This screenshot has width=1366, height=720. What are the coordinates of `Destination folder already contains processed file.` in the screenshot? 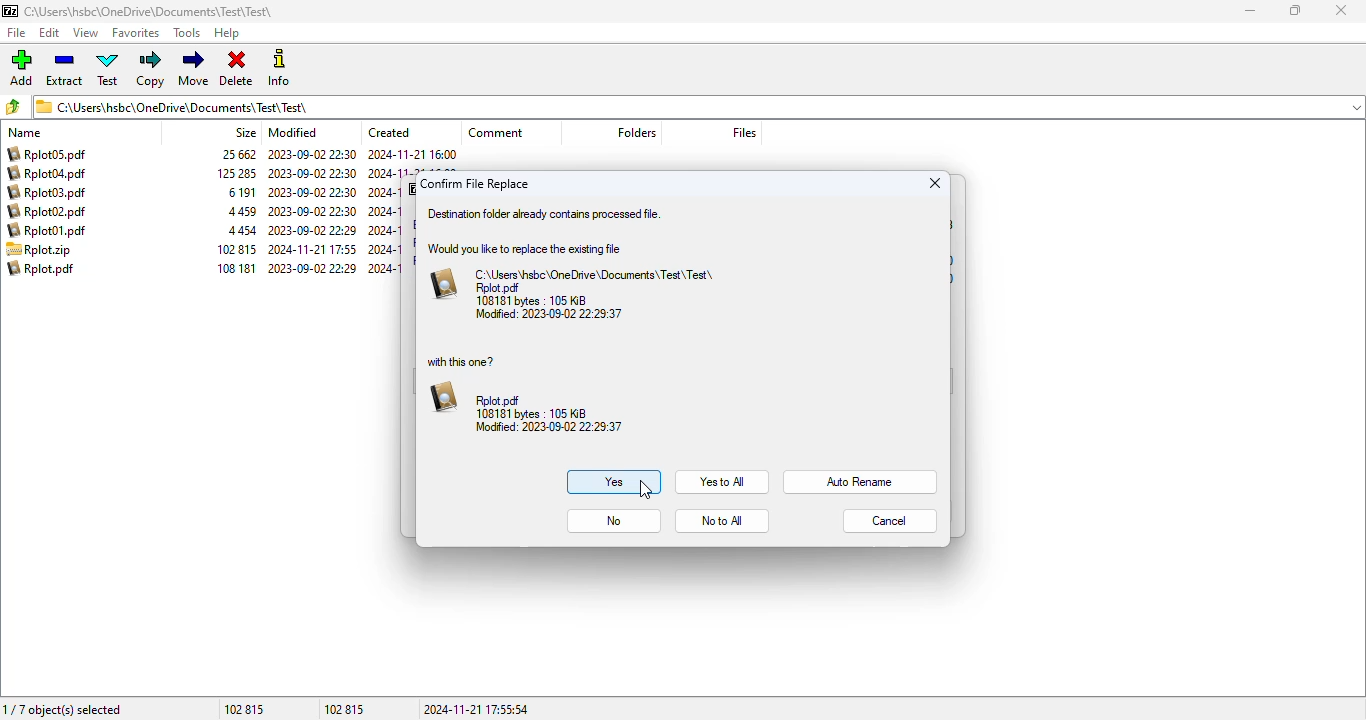 It's located at (546, 213).